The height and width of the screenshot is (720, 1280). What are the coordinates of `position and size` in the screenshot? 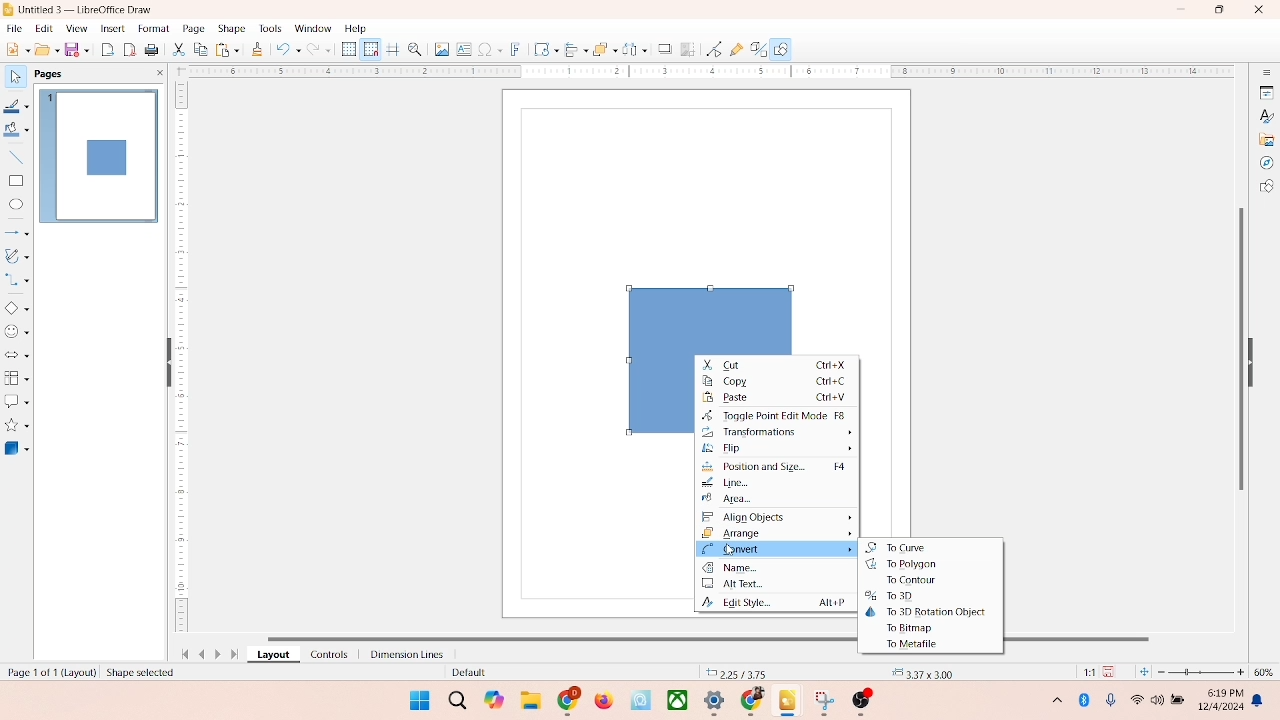 It's located at (778, 468).